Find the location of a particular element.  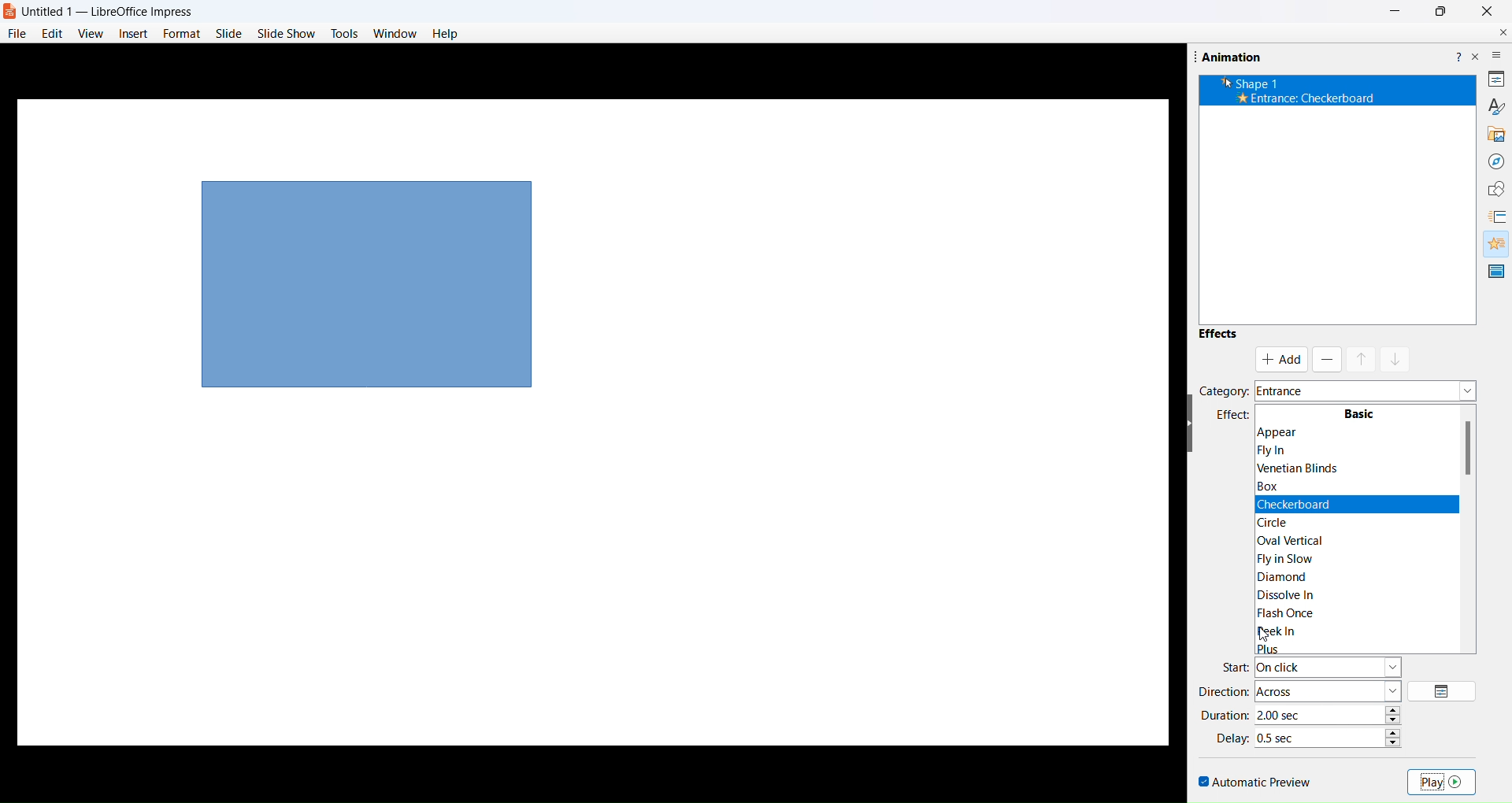

delay is located at coordinates (1234, 738).